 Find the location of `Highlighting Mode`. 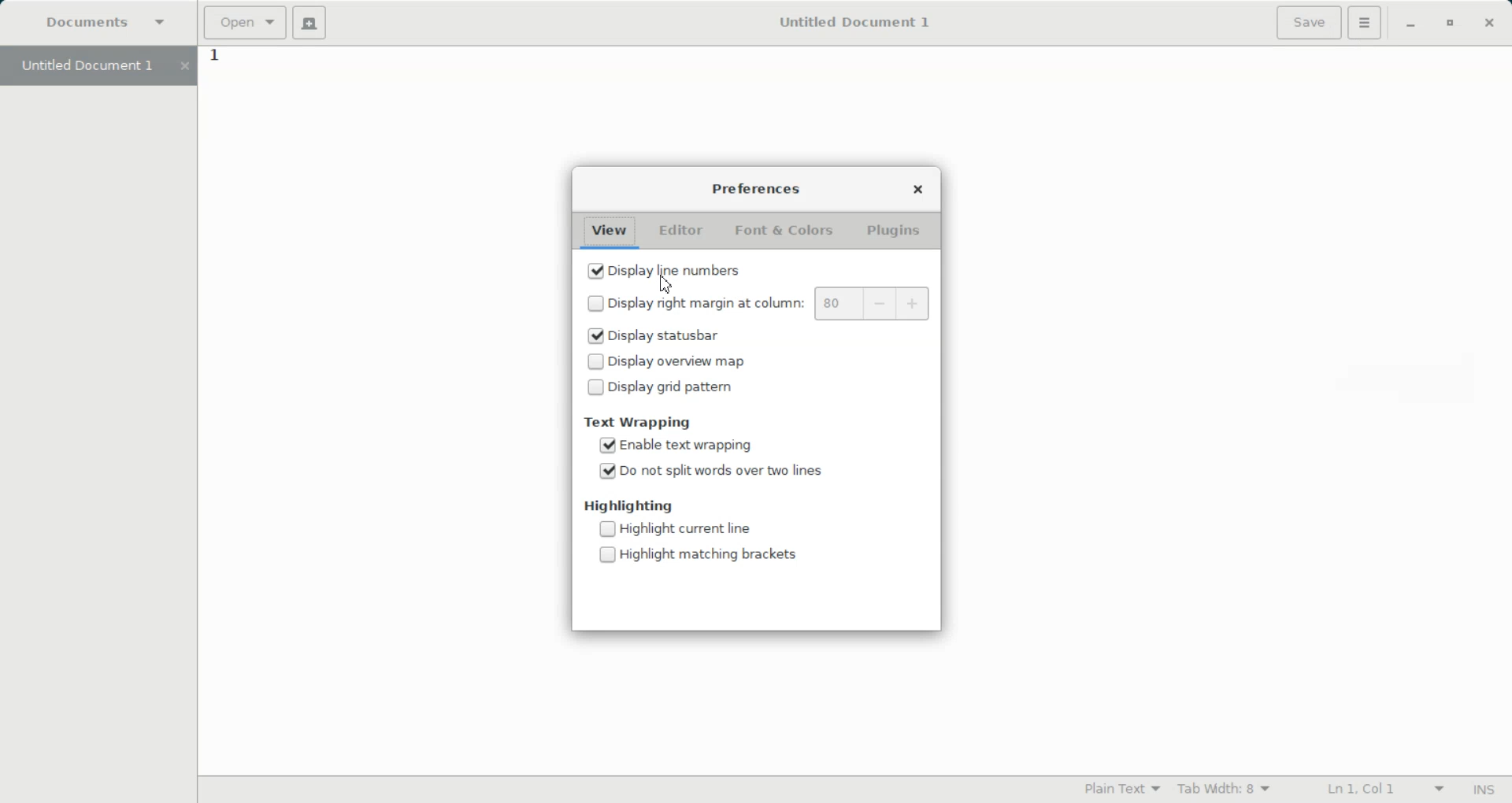

Highlighting Mode is located at coordinates (1123, 788).